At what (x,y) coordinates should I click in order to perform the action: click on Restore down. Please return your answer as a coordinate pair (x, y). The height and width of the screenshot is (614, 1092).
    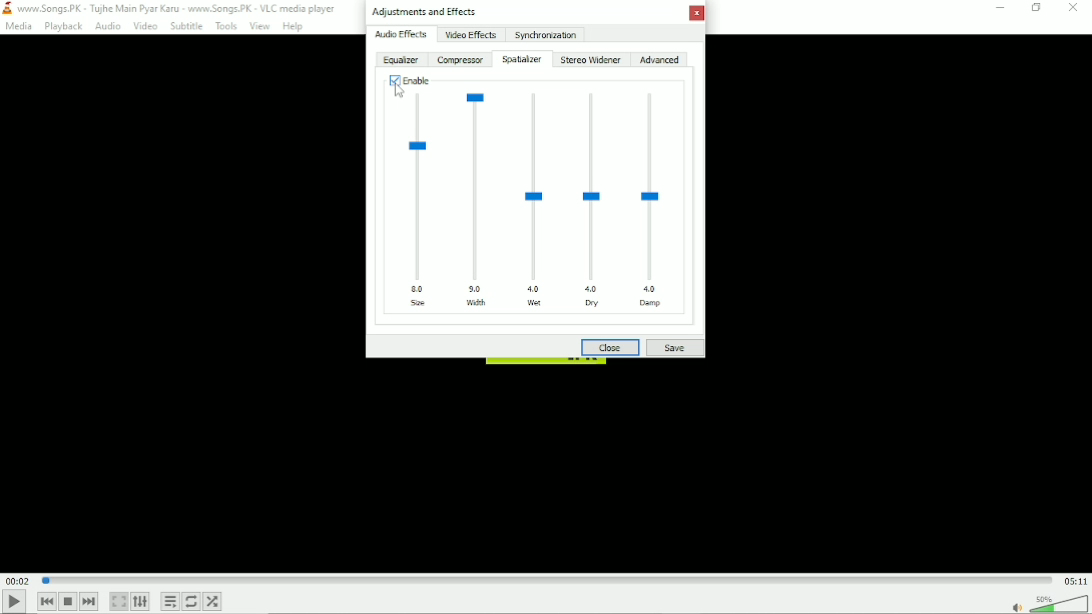
    Looking at the image, I should click on (1036, 8).